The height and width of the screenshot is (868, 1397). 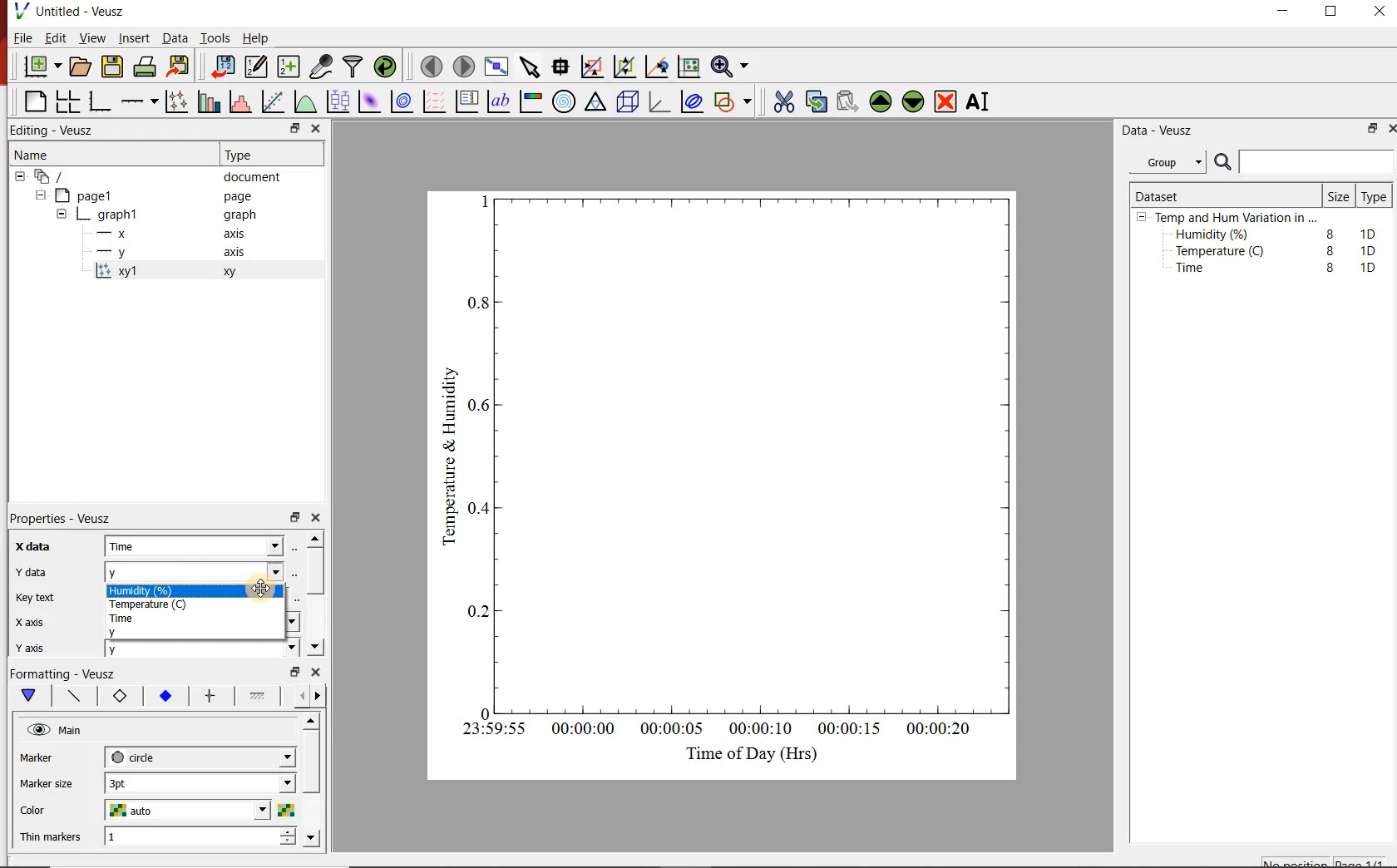 I want to click on Group., so click(x=1171, y=159).